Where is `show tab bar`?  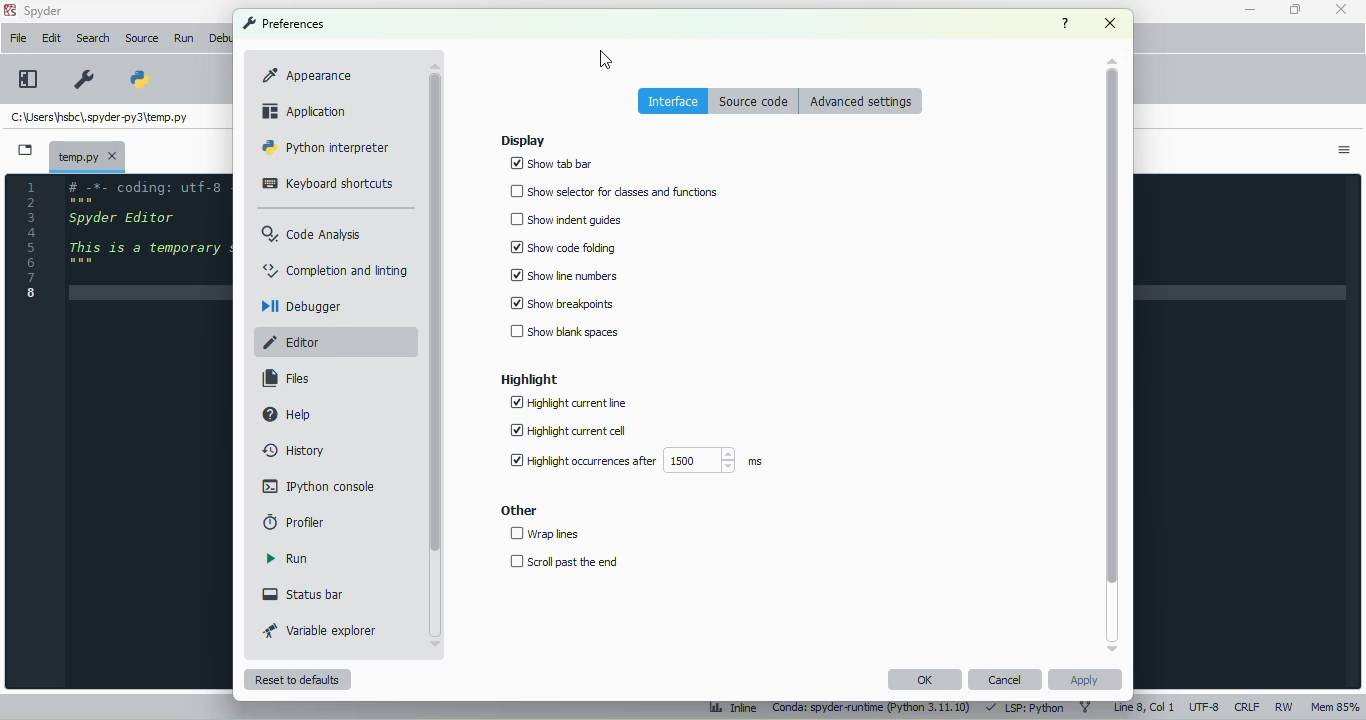 show tab bar is located at coordinates (552, 164).